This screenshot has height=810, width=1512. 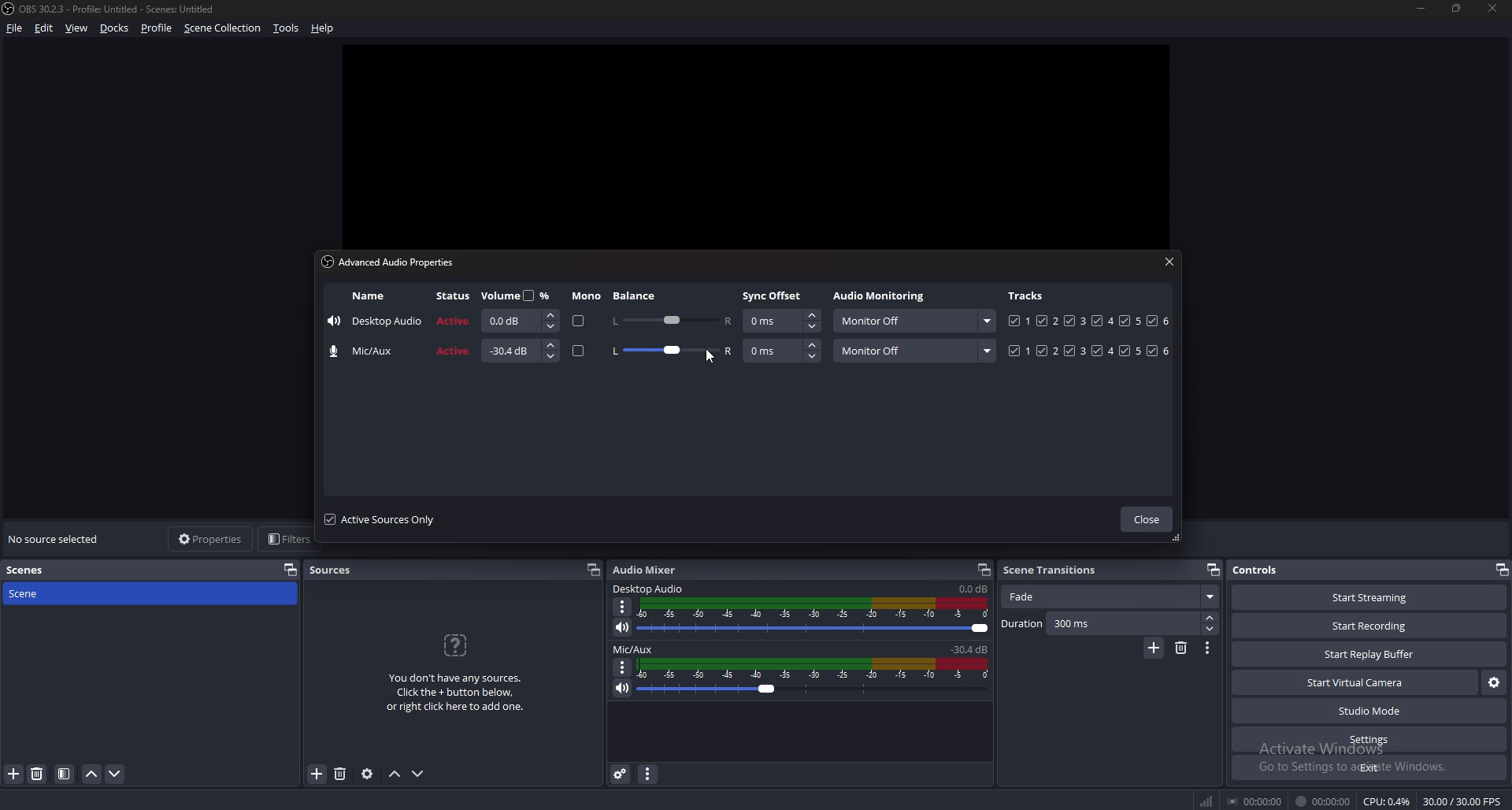 I want to click on volume, so click(x=516, y=295).